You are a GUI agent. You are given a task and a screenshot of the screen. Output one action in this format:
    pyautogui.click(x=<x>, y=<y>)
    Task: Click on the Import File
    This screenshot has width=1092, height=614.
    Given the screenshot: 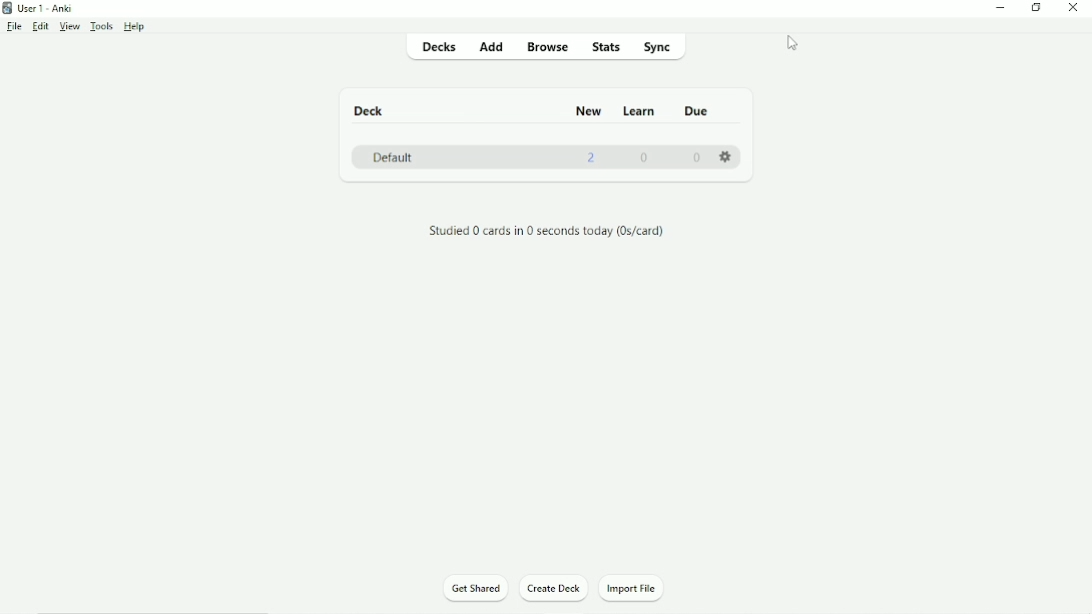 What is the action you would take?
    pyautogui.click(x=640, y=587)
    